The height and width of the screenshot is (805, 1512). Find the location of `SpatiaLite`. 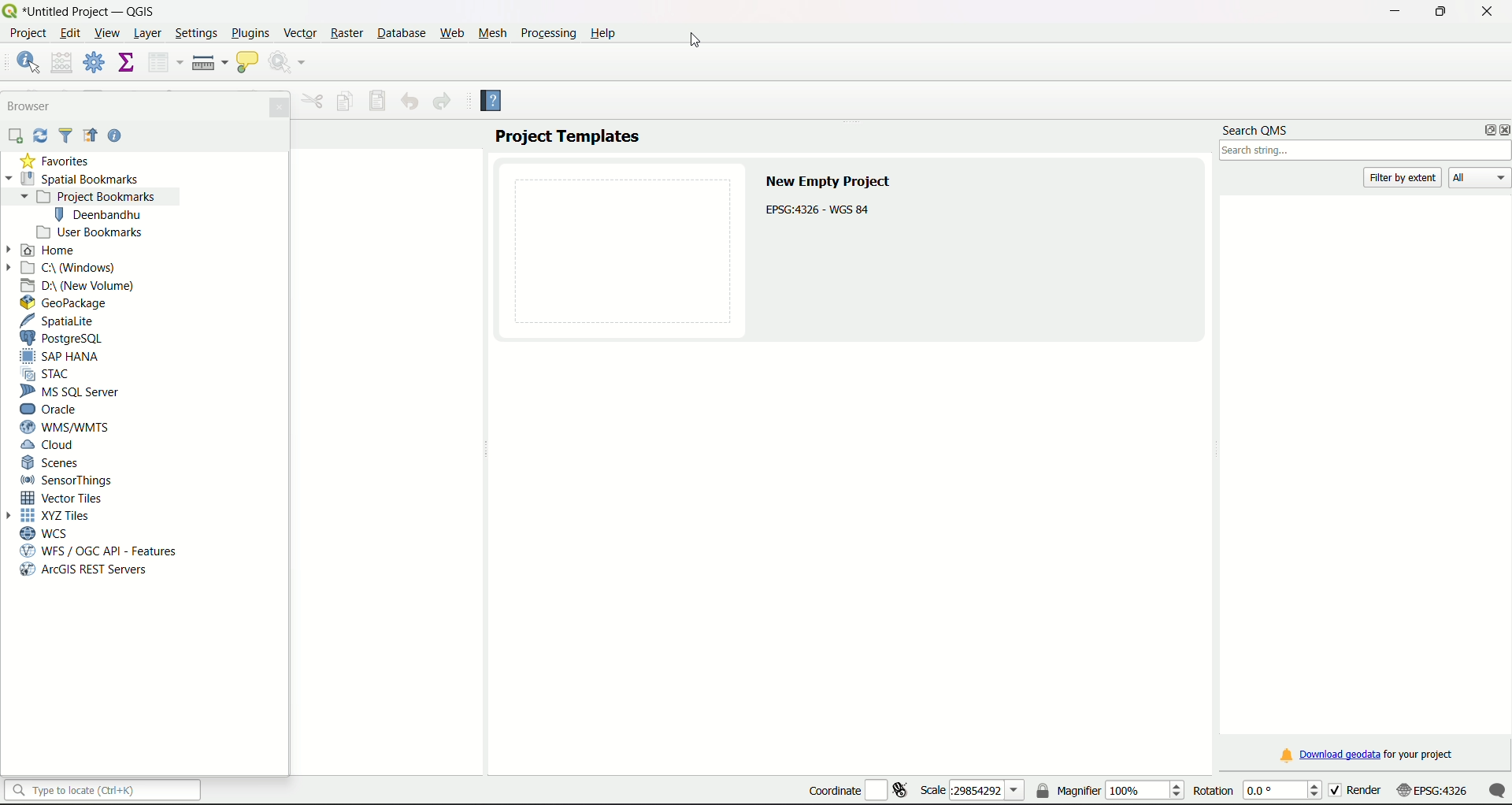

SpatiaLite is located at coordinates (69, 319).